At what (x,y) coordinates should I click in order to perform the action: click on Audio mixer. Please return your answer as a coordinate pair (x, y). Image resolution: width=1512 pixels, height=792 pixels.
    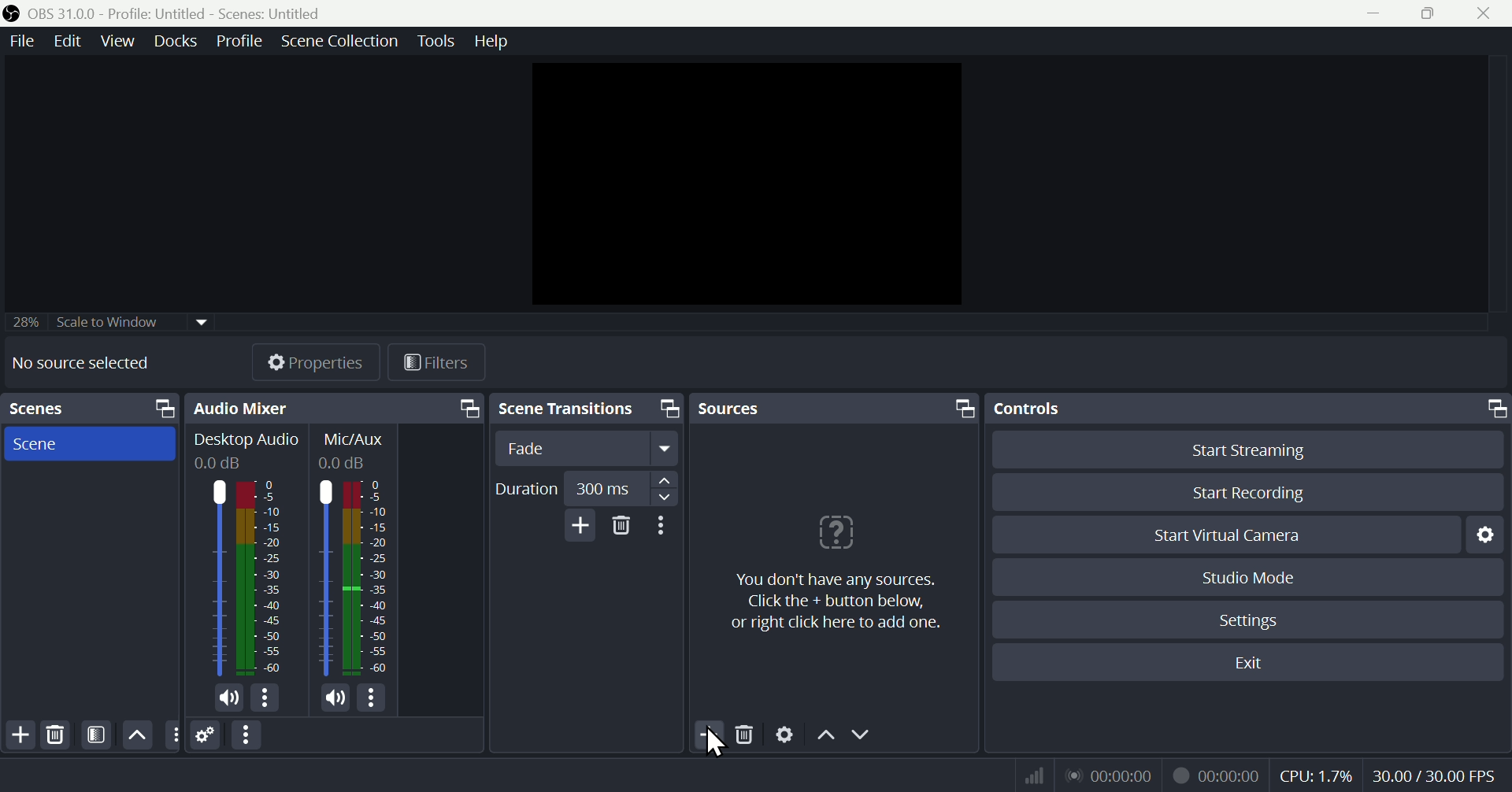
    Looking at the image, I should click on (332, 409).